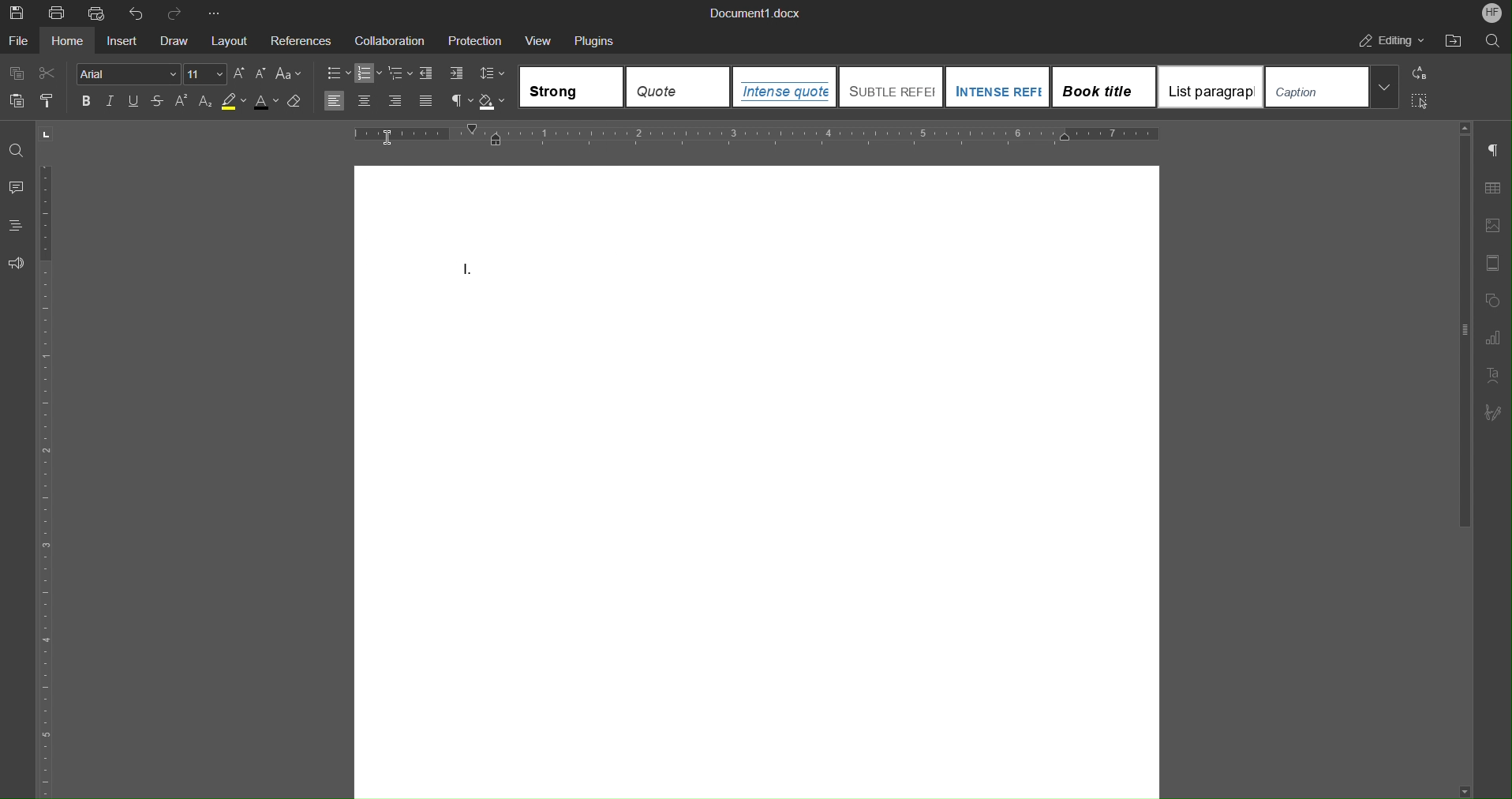 The image size is (1512, 799). What do you see at coordinates (15, 101) in the screenshot?
I see `Paste` at bounding box center [15, 101].